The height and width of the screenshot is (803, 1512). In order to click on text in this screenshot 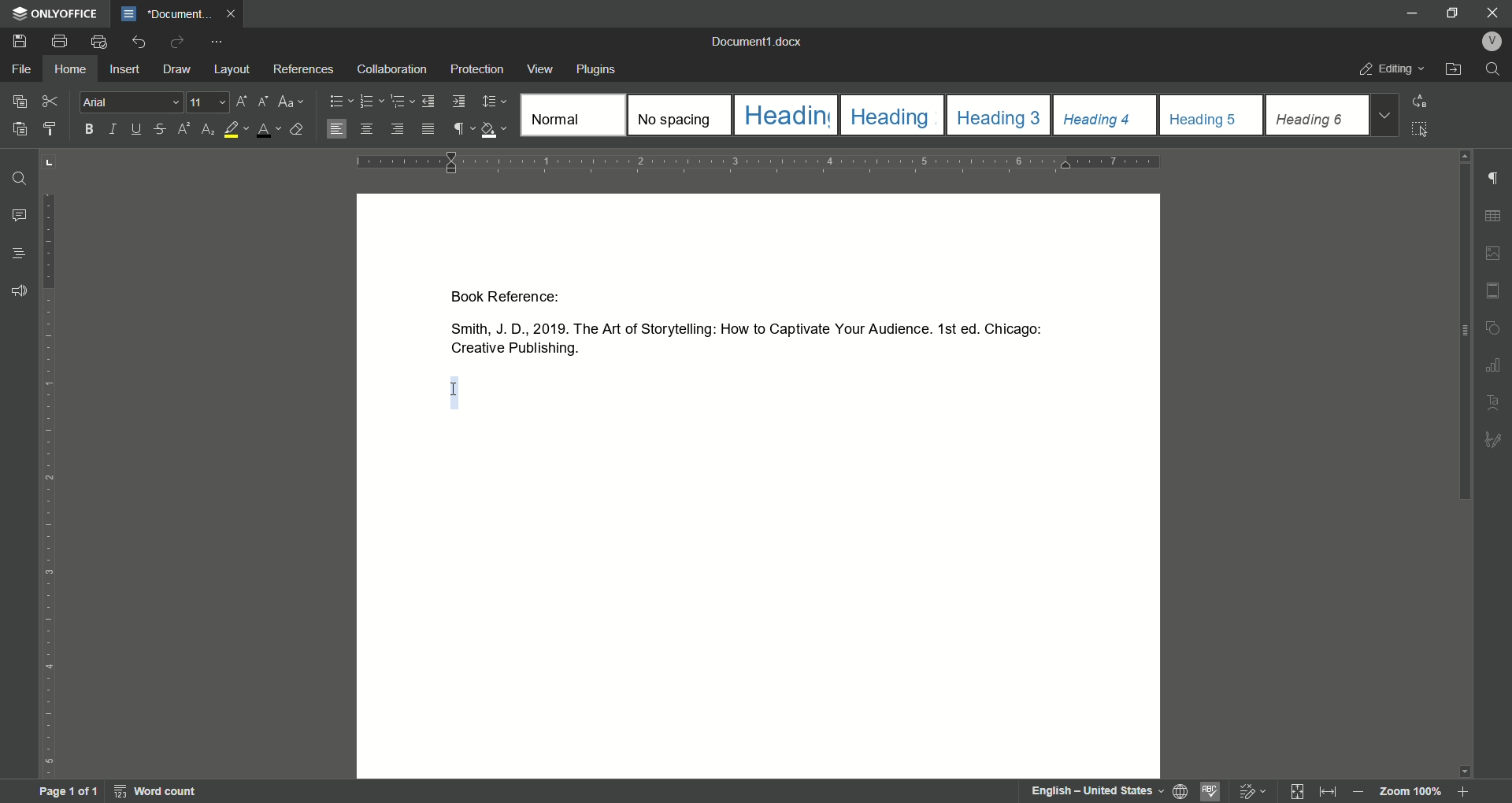, I will do `click(1491, 401)`.